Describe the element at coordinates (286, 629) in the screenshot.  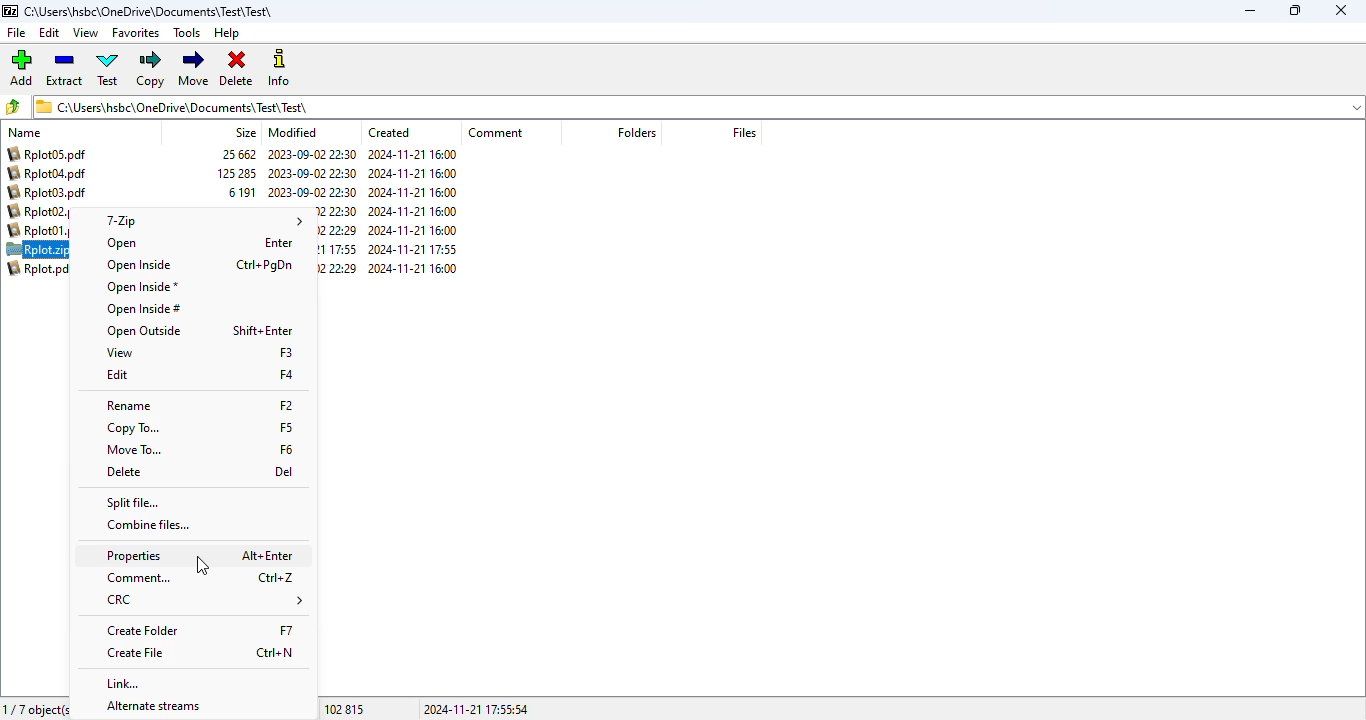
I see `create folder` at that location.